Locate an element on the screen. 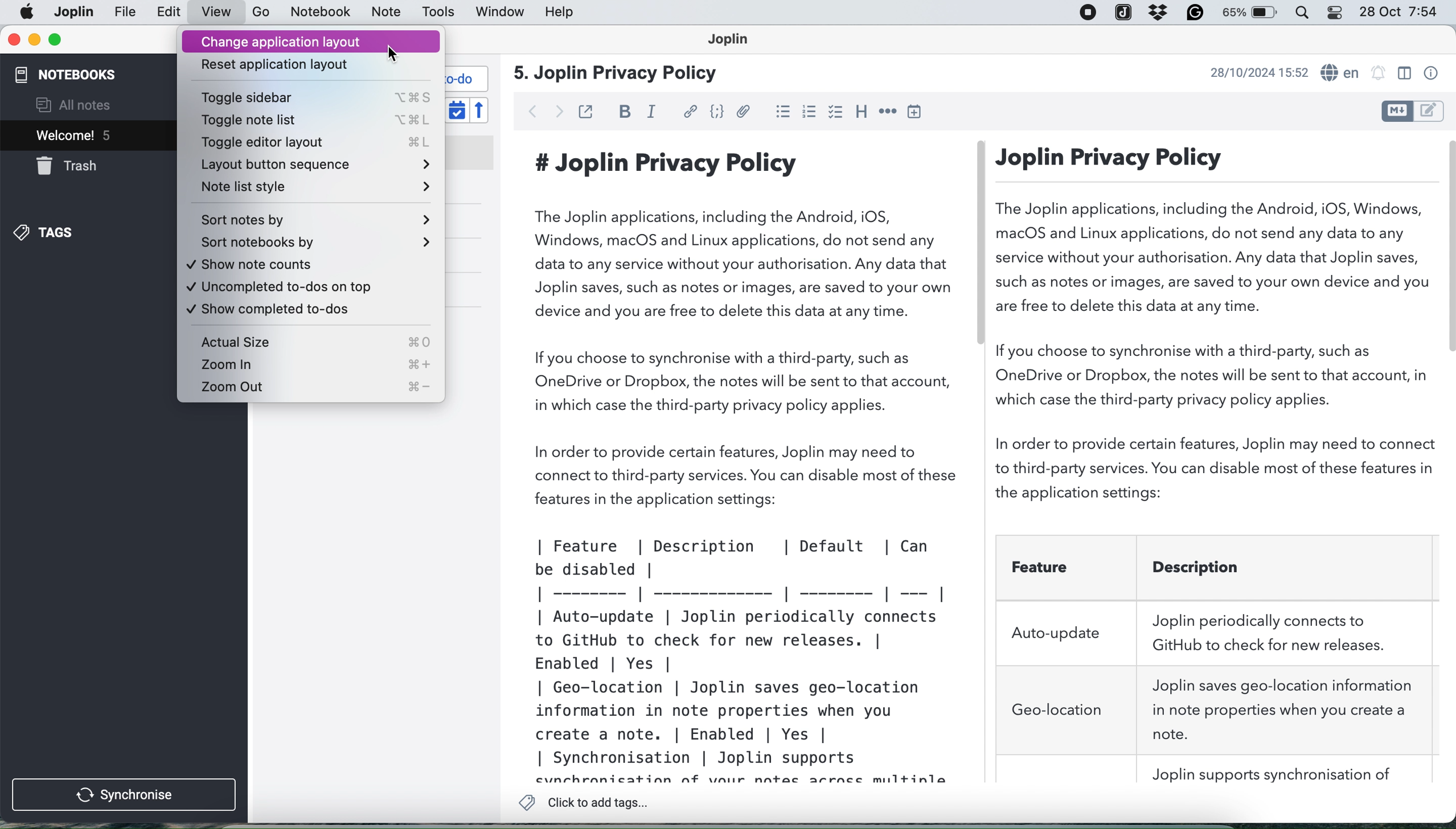 The height and width of the screenshot is (829, 1456). current open note is located at coordinates (72, 135).